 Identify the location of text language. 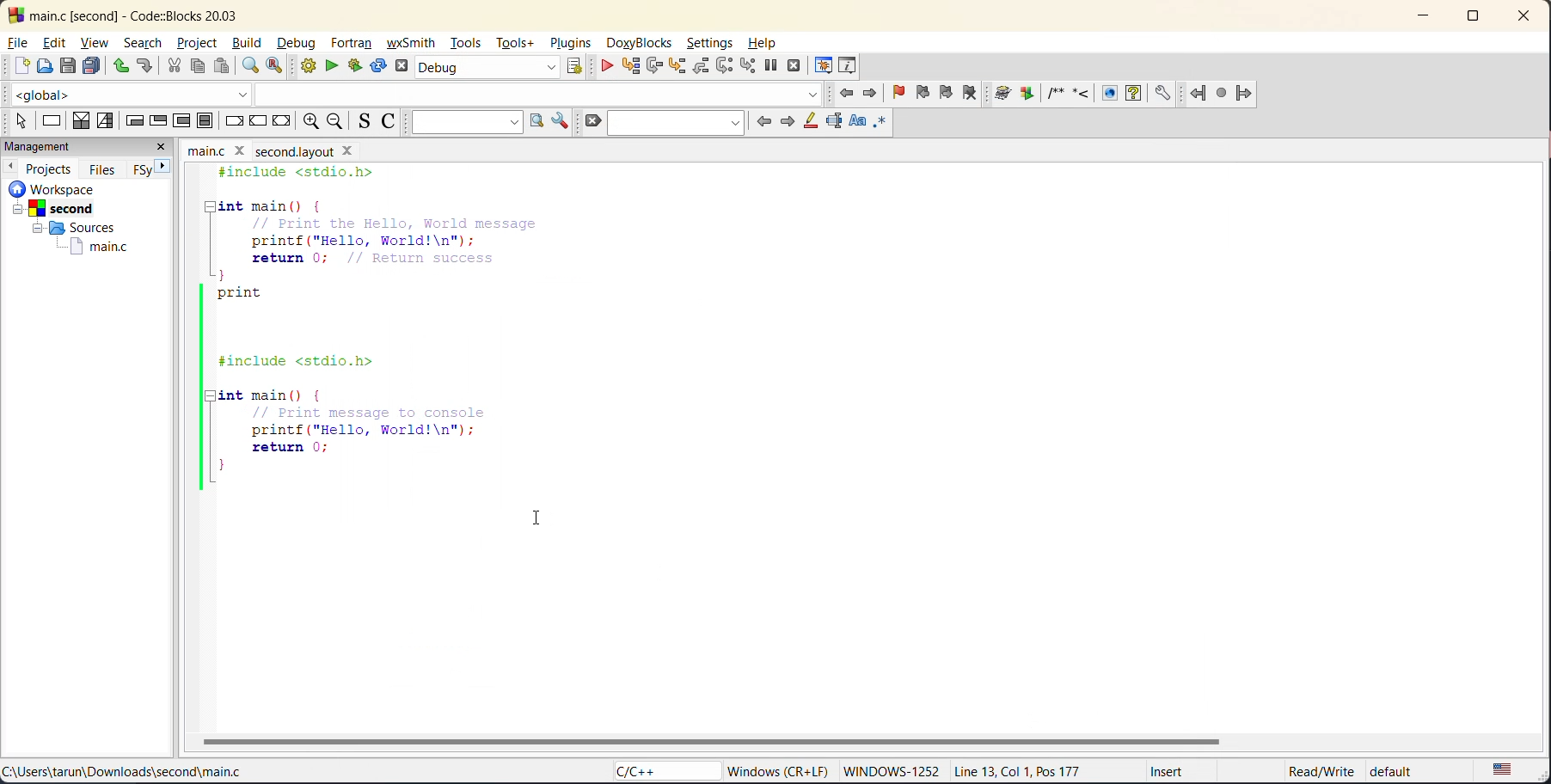
(1505, 769).